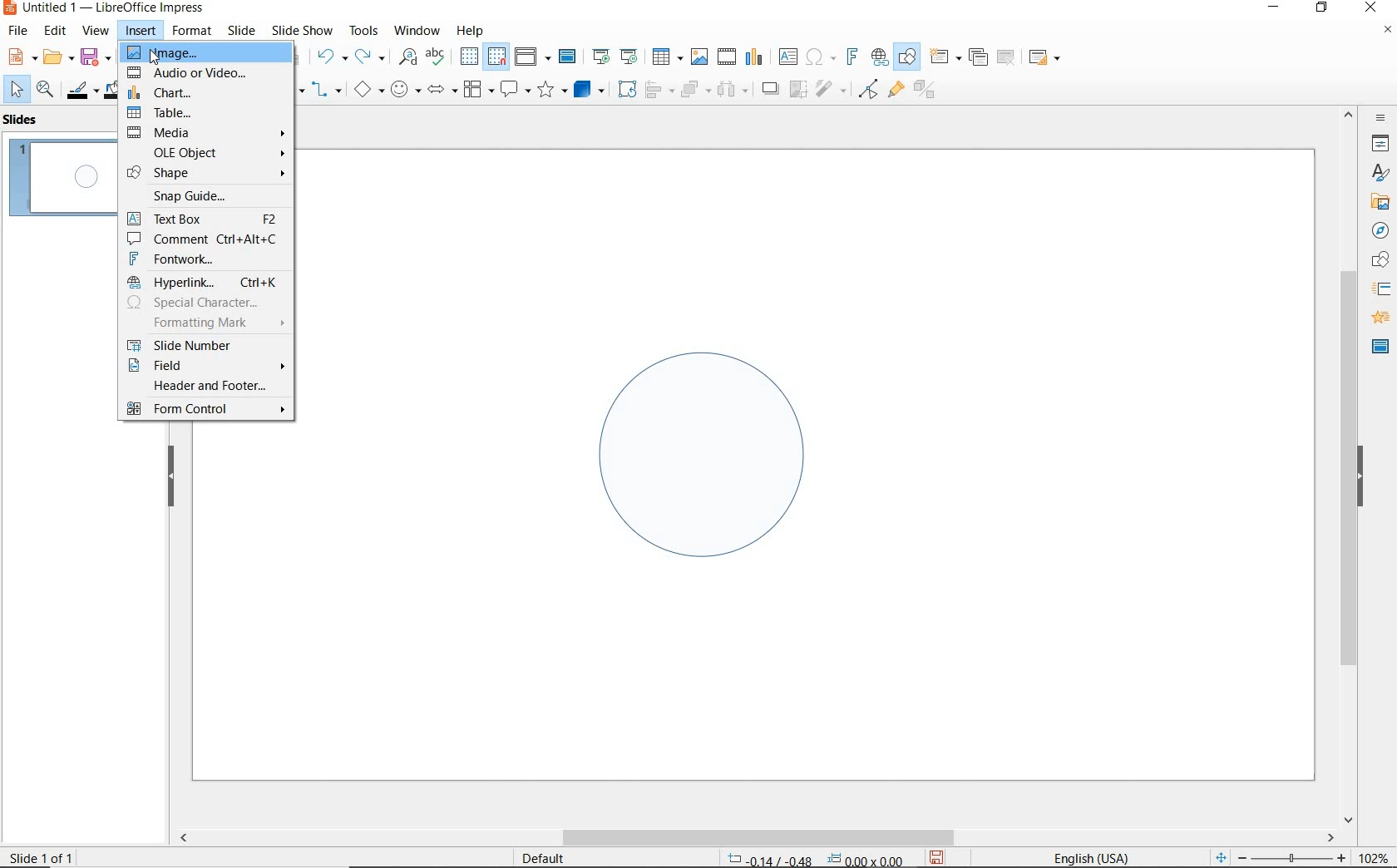  I want to click on insert table, so click(665, 57).